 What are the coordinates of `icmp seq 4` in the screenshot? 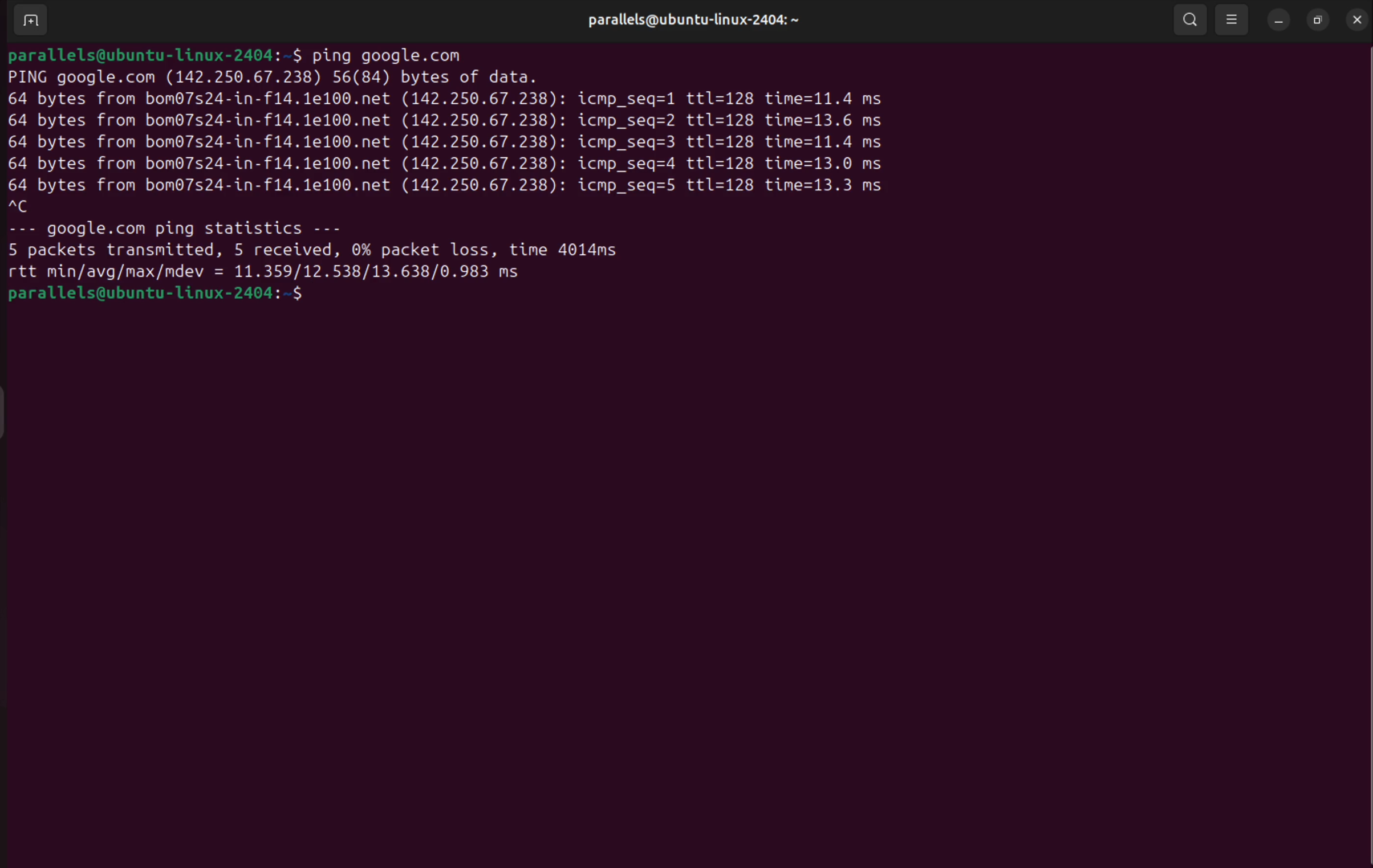 It's located at (626, 164).